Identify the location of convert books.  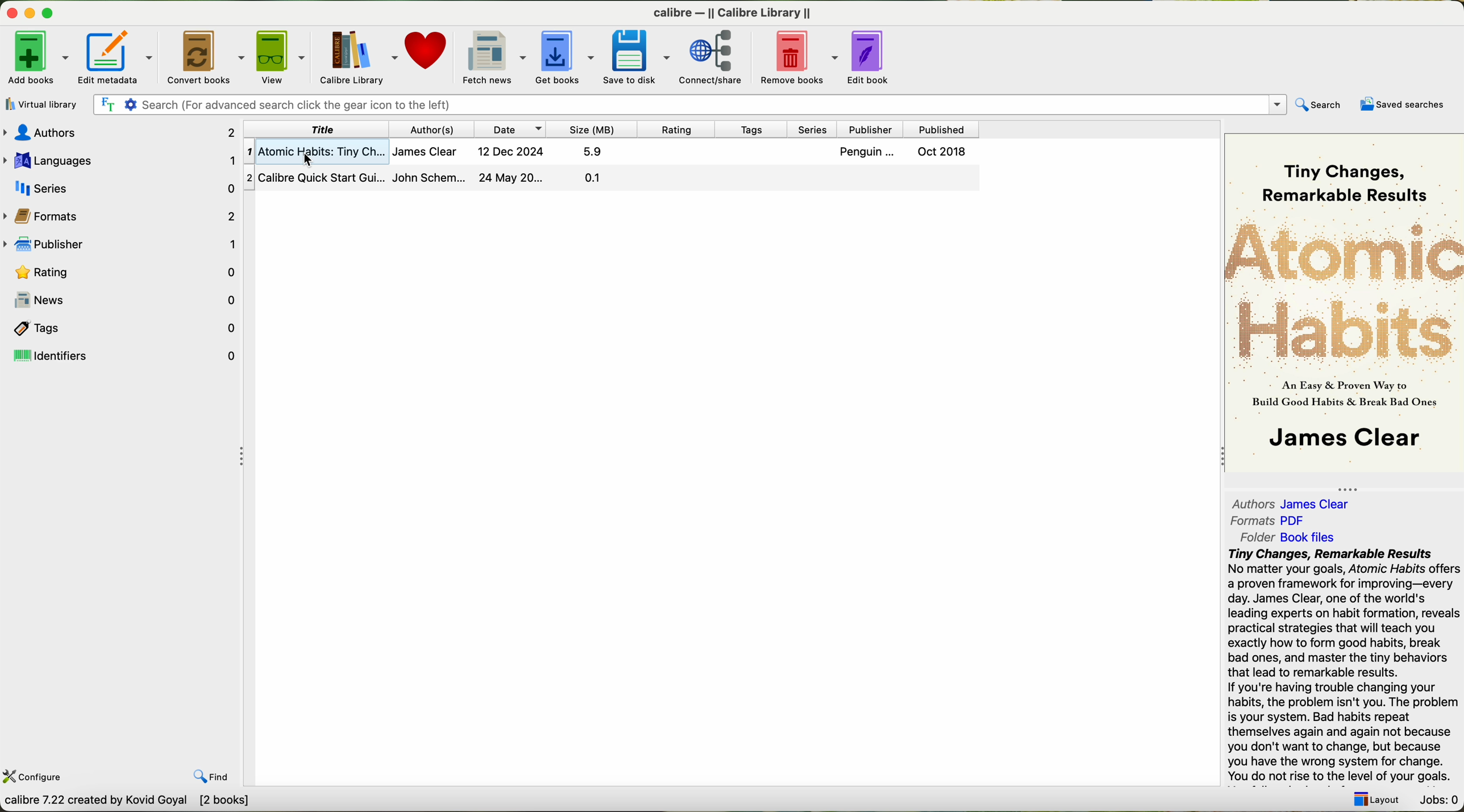
(204, 55).